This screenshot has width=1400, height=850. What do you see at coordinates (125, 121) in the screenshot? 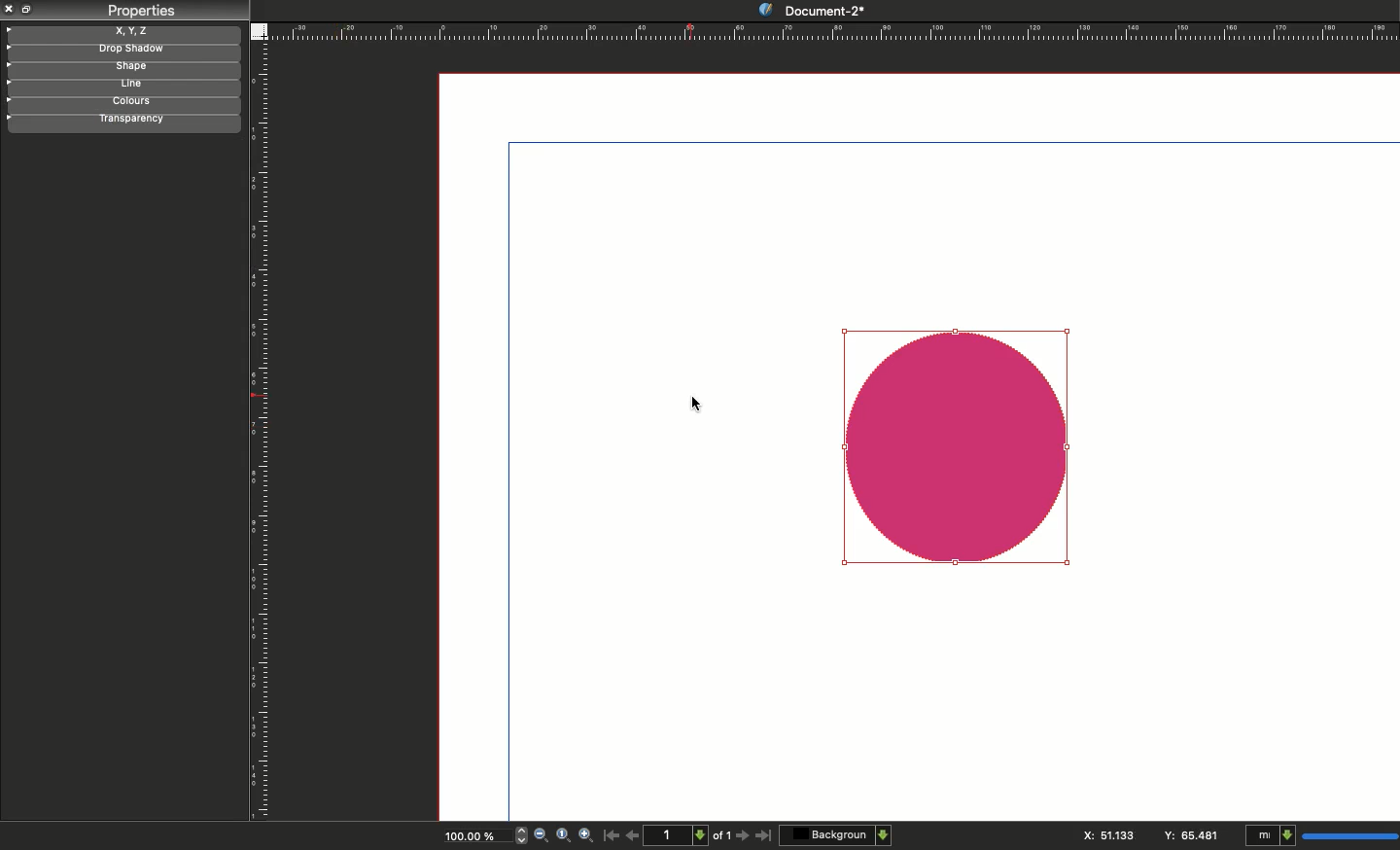
I see `Transparency` at bounding box center [125, 121].